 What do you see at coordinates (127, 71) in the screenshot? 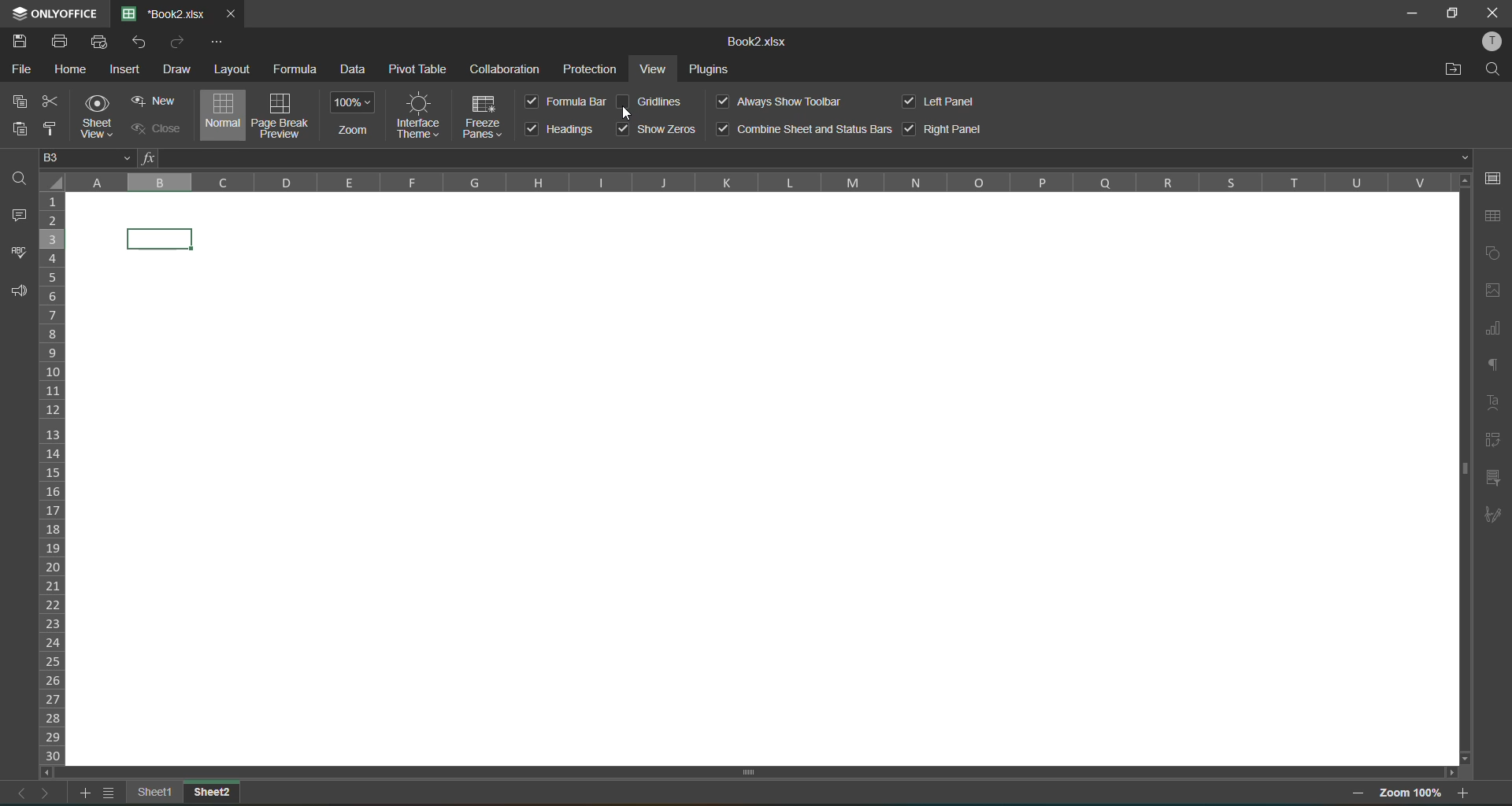
I see `insert` at bounding box center [127, 71].